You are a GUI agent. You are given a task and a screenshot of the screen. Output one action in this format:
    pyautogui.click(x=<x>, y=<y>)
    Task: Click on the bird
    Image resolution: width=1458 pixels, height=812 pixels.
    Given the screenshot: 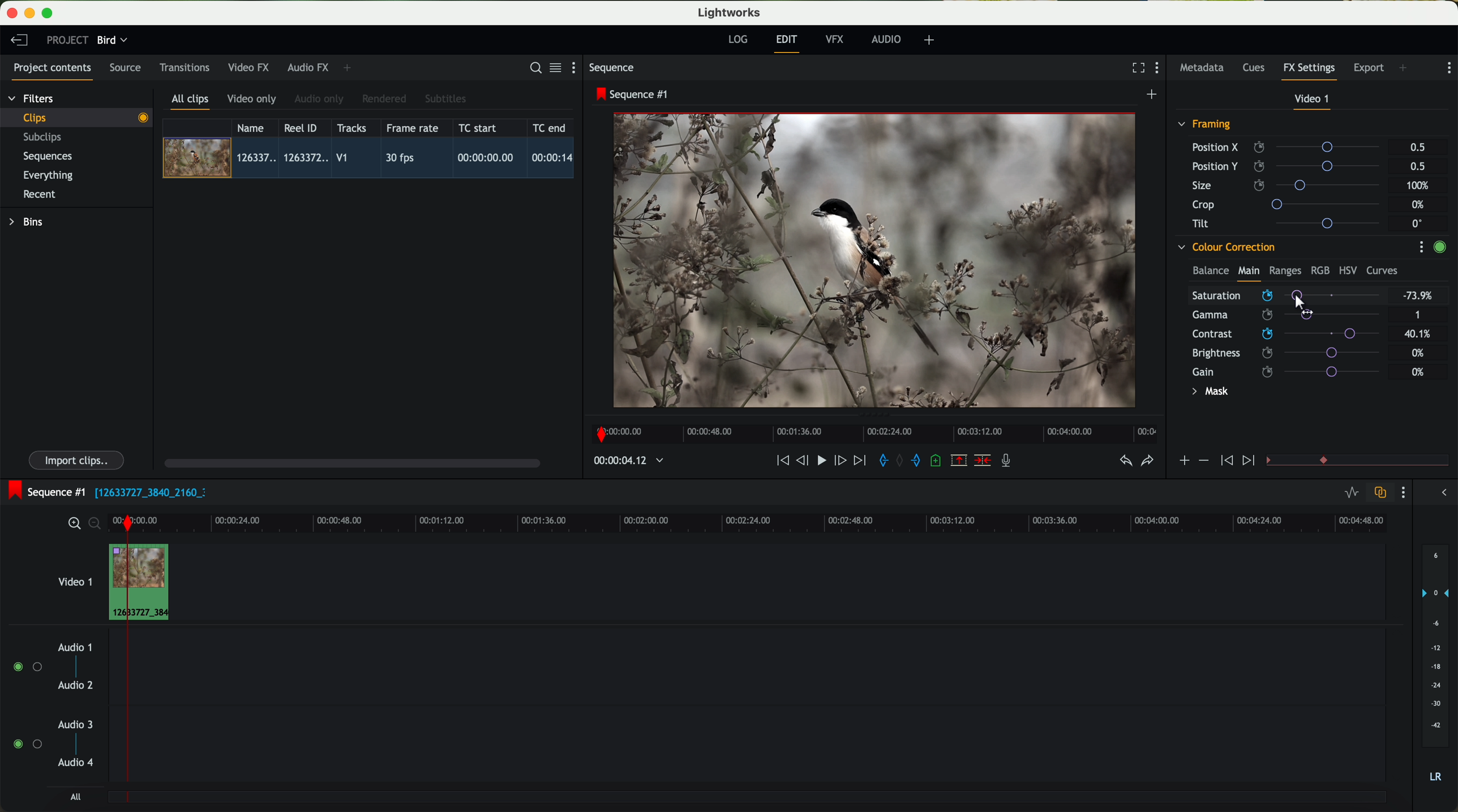 What is the action you would take?
    pyautogui.click(x=112, y=41)
    